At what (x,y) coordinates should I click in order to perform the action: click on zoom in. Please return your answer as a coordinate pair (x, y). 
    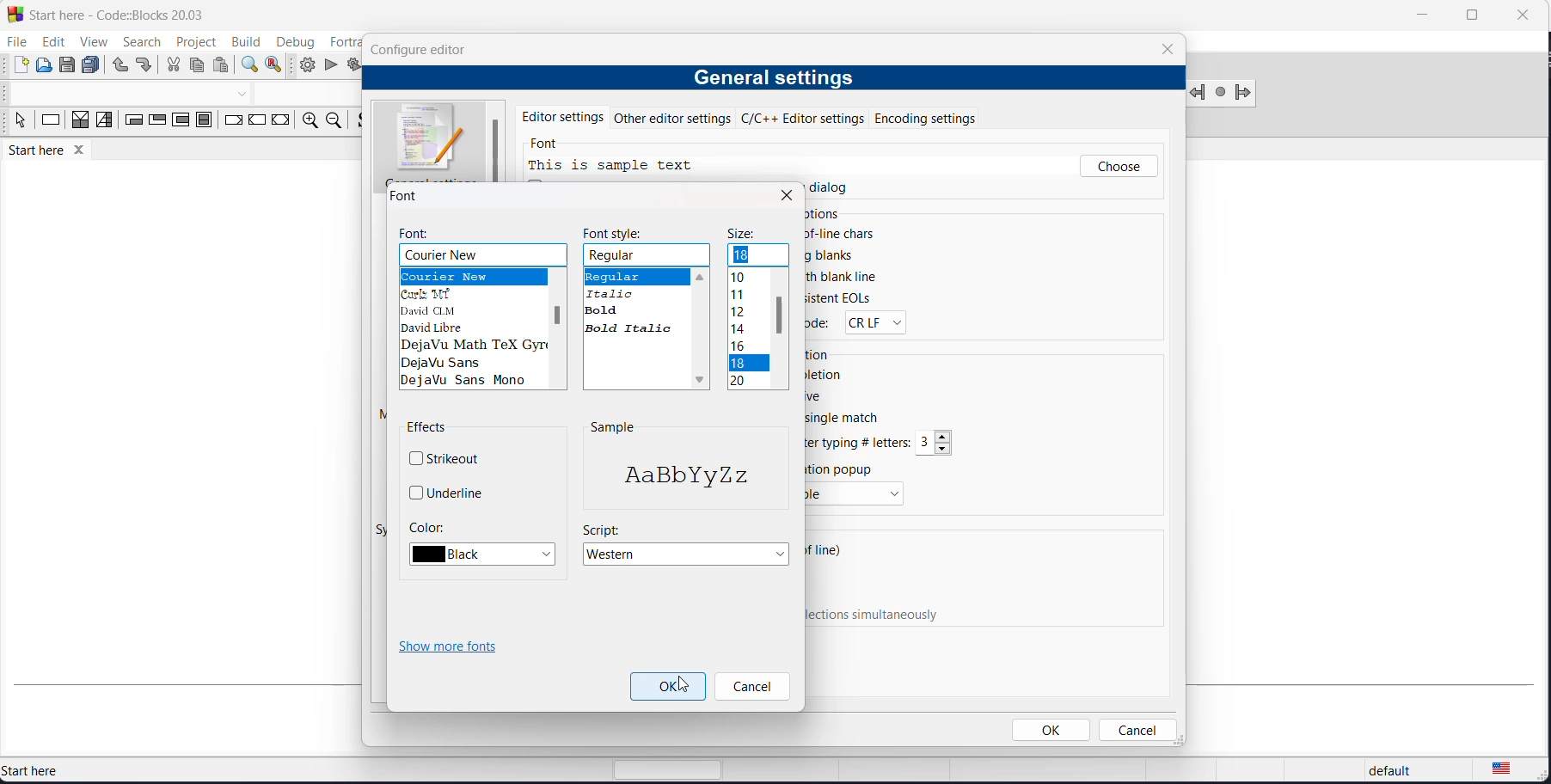
    Looking at the image, I should click on (307, 122).